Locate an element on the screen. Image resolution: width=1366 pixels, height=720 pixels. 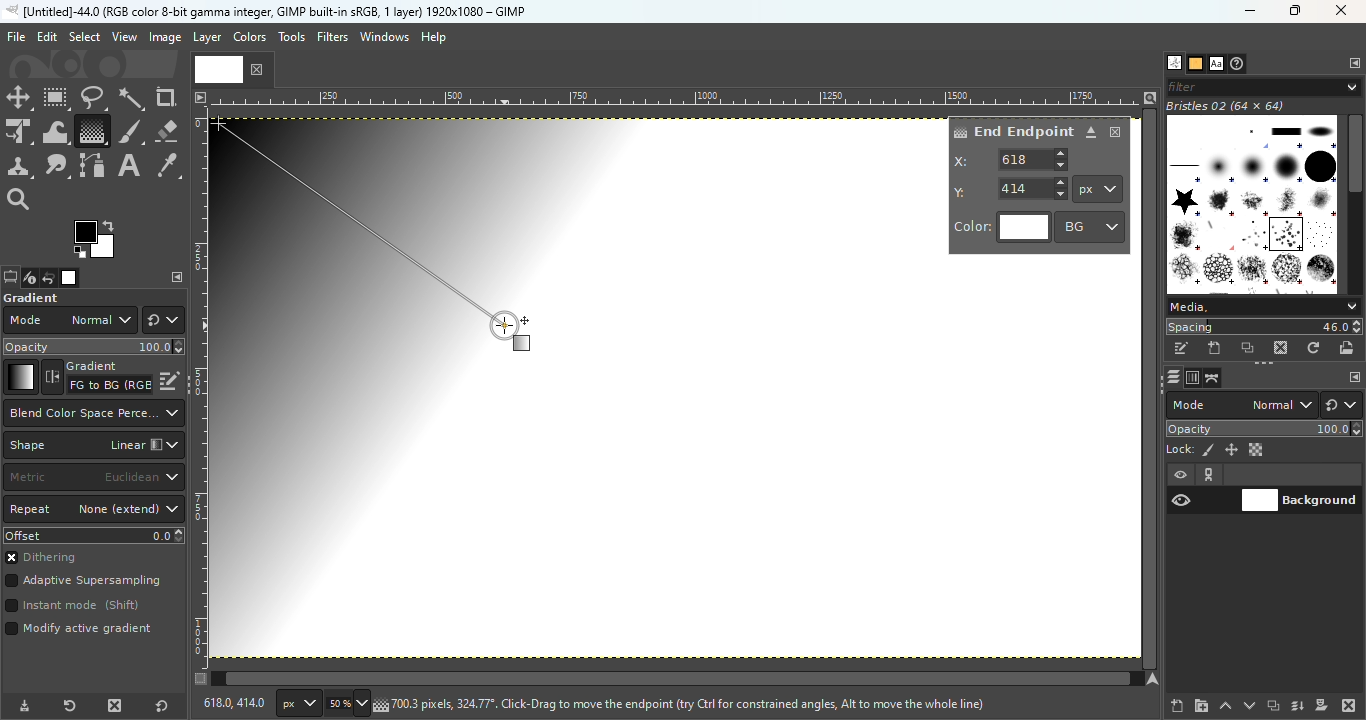
Lock pixels is located at coordinates (1190, 448).